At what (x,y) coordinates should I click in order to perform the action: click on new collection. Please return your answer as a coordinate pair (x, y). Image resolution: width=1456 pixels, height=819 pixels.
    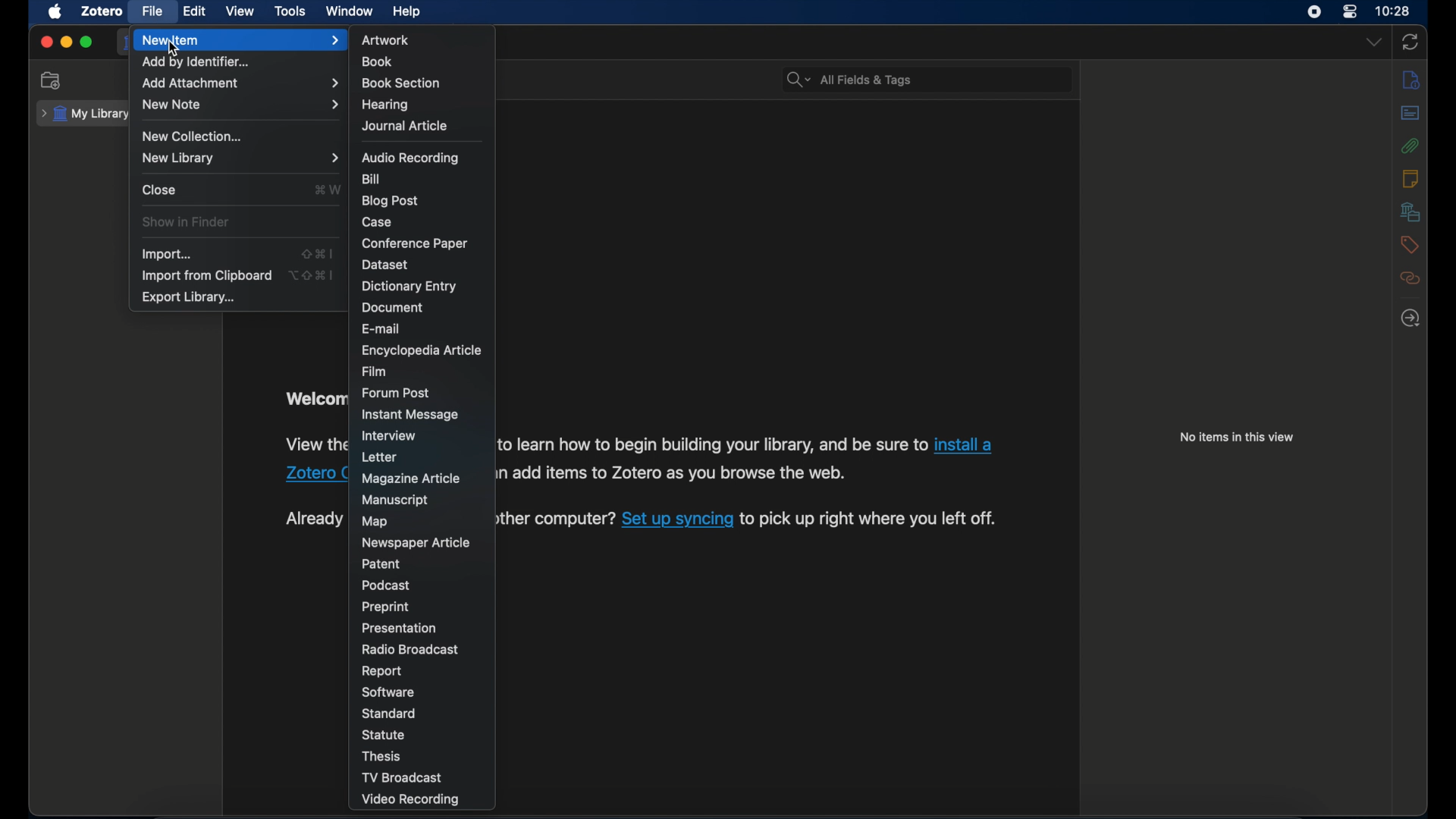
    Looking at the image, I should click on (193, 135).